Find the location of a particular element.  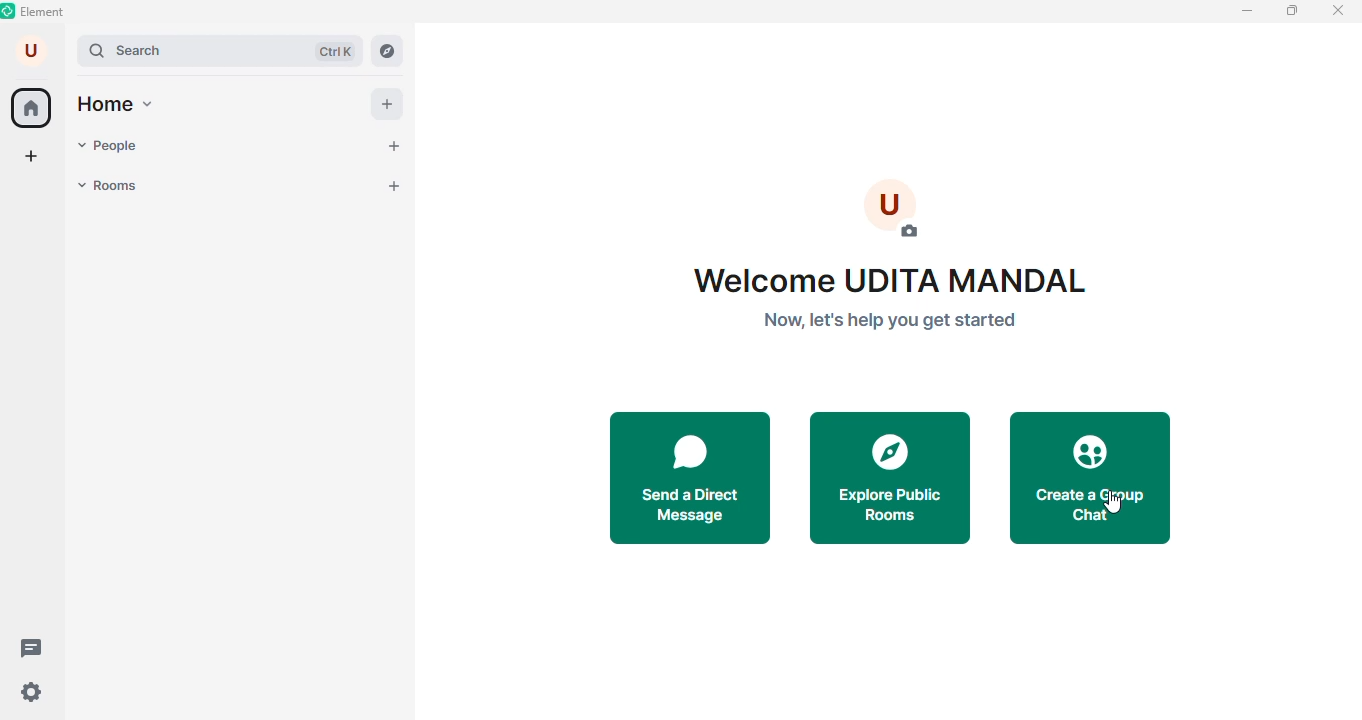

welcome text is located at coordinates (897, 300).